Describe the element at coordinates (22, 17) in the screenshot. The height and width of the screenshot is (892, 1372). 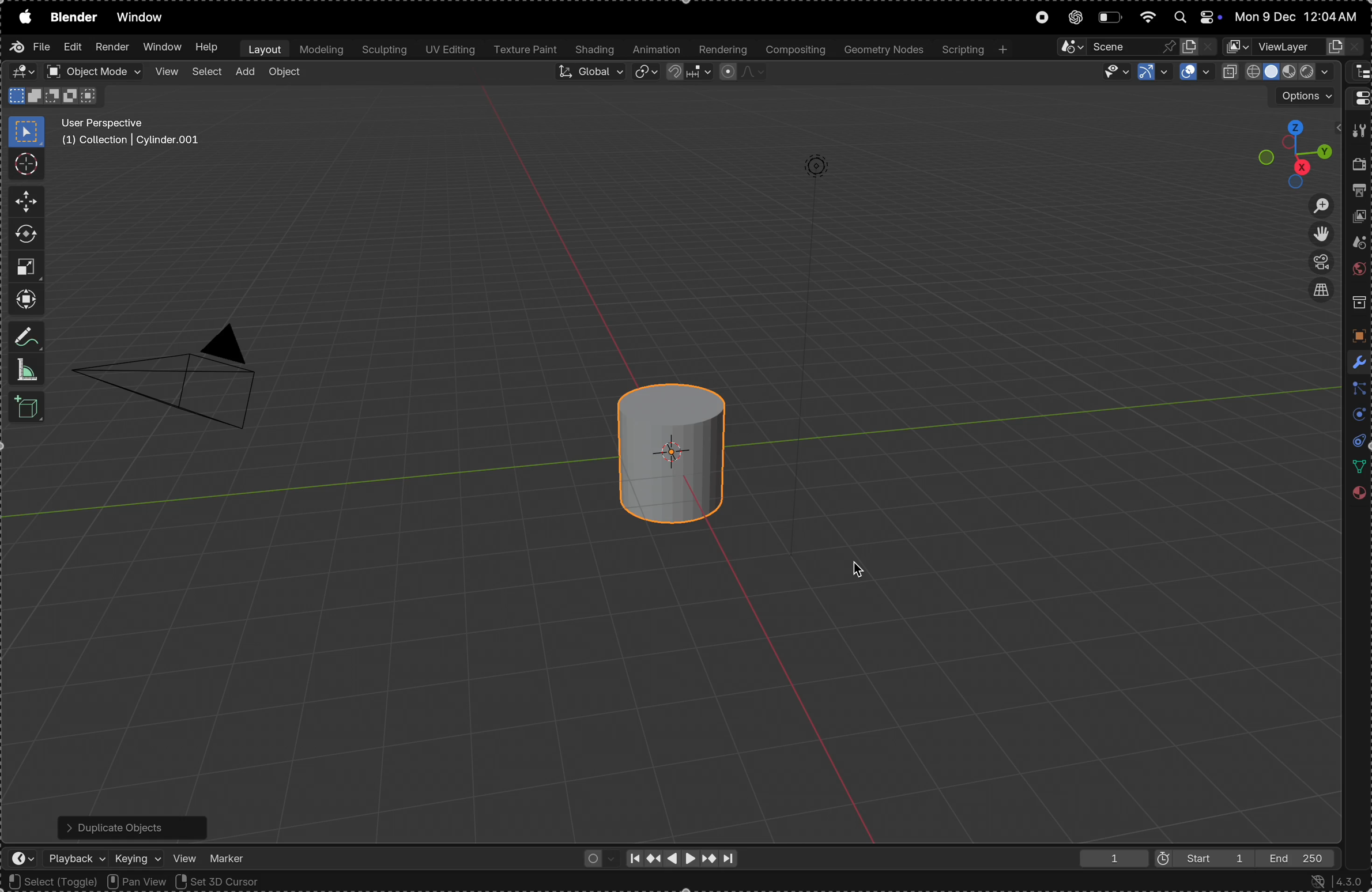
I see `apple menu` at that location.